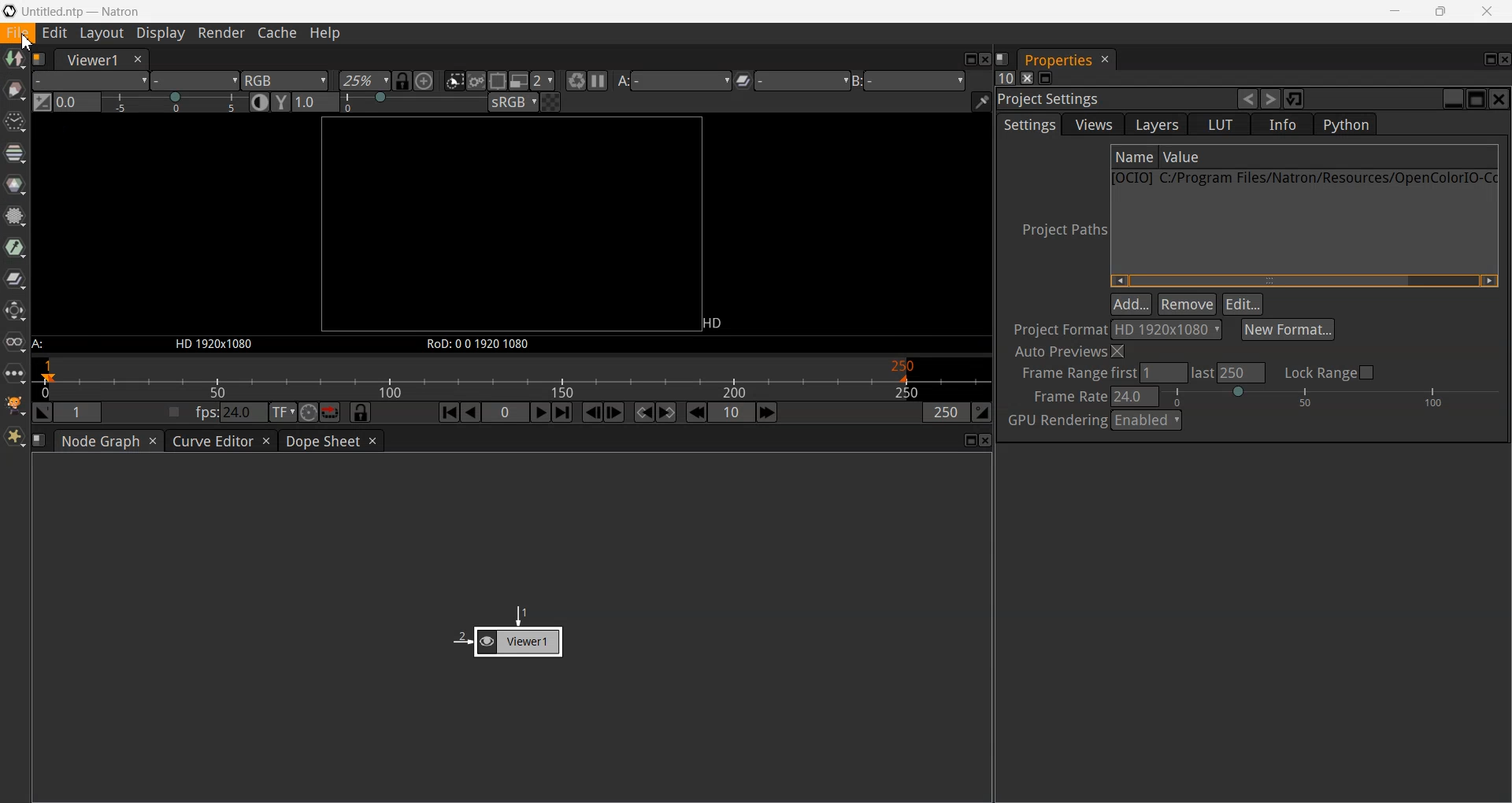 This screenshot has height=803, width=1512. Describe the element at coordinates (100, 441) in the screenshot. I see `Node Graph` at that location.